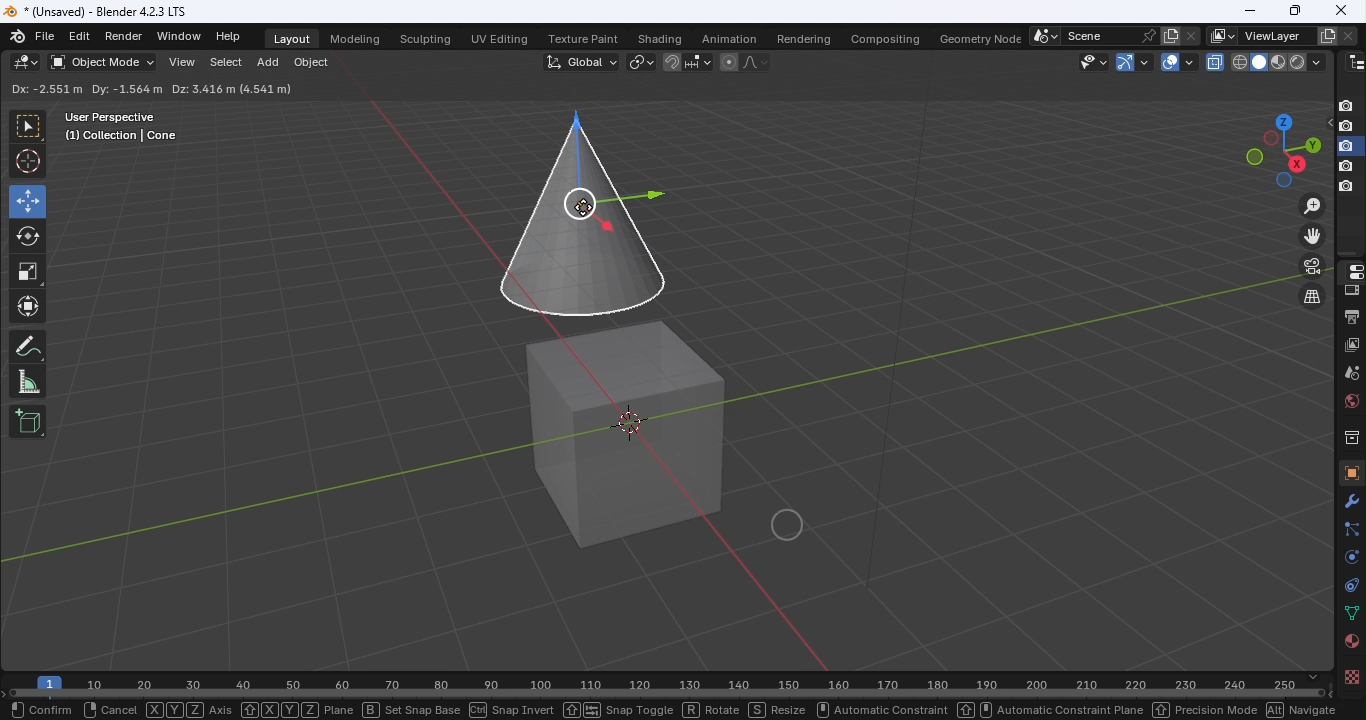  I want to click on Rotate the view, so click(1281, 120).